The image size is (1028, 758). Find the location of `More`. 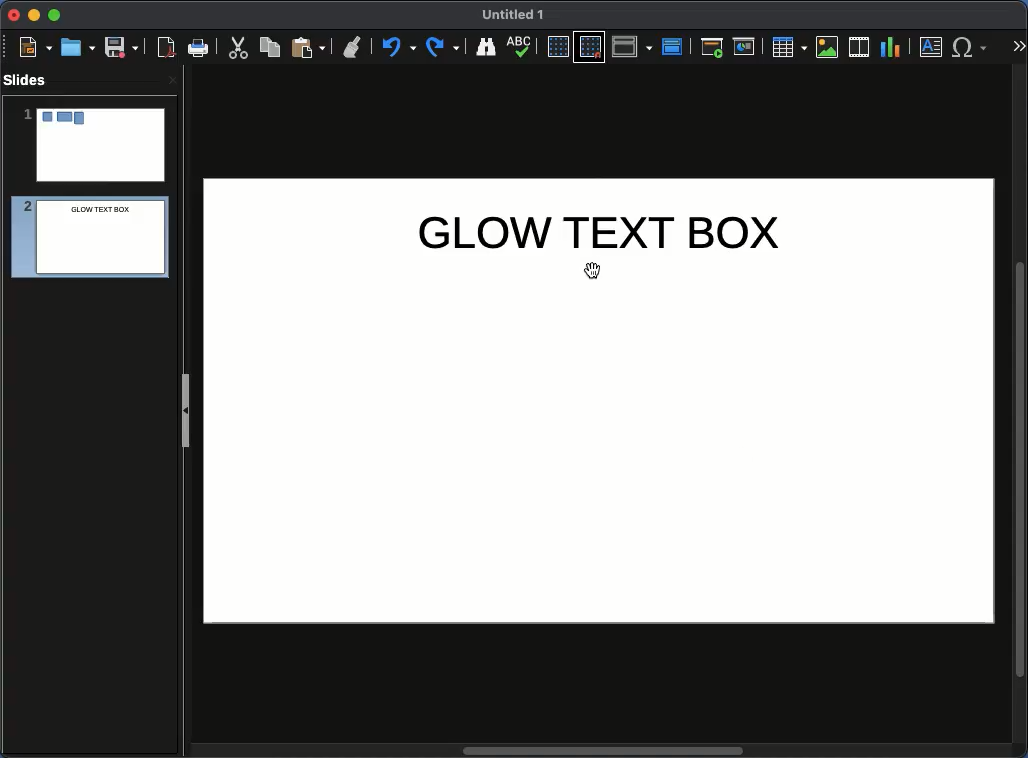

More is located at coordinates (1018, 48).